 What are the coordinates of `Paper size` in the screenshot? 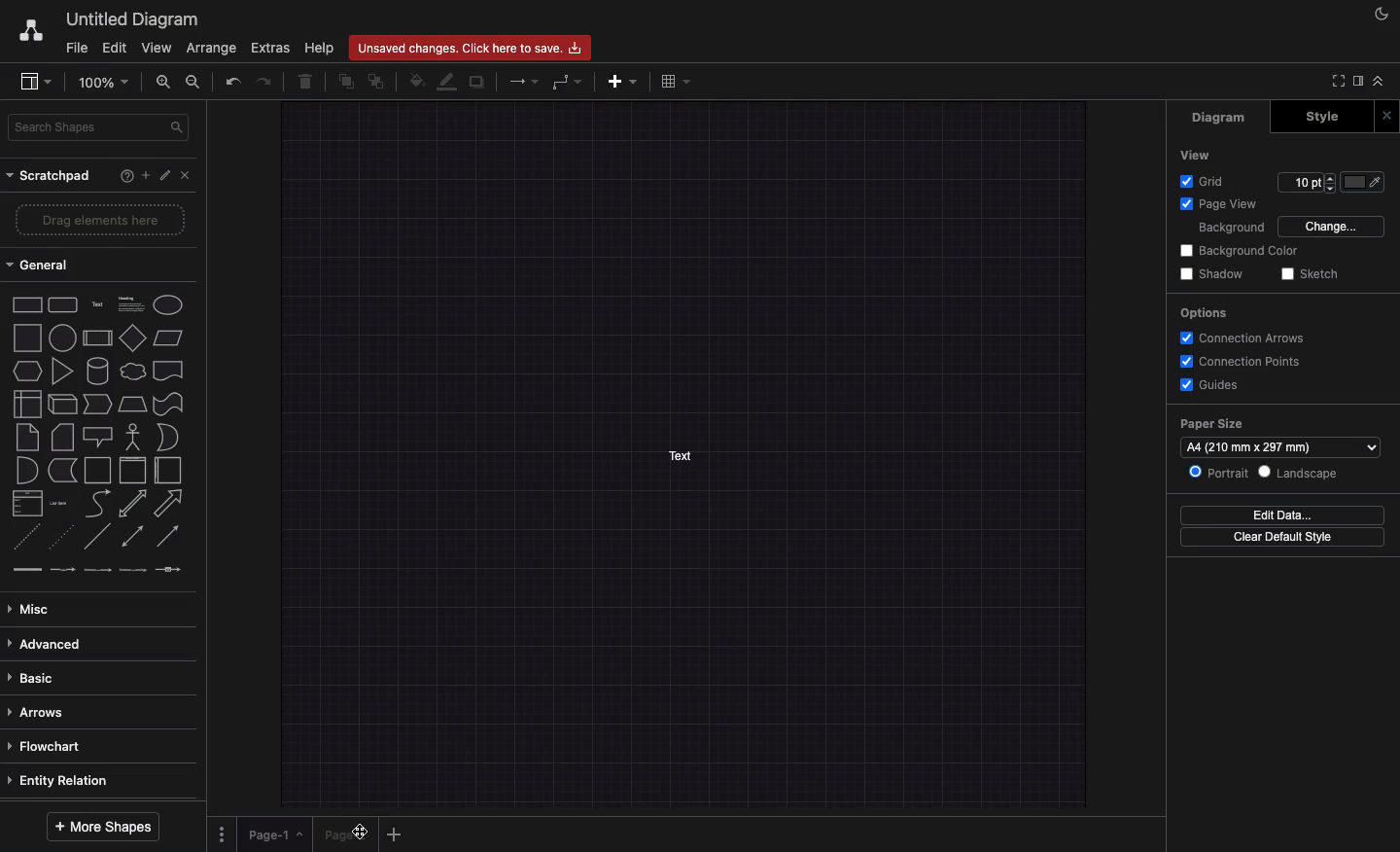 It's located at (1279, 439).